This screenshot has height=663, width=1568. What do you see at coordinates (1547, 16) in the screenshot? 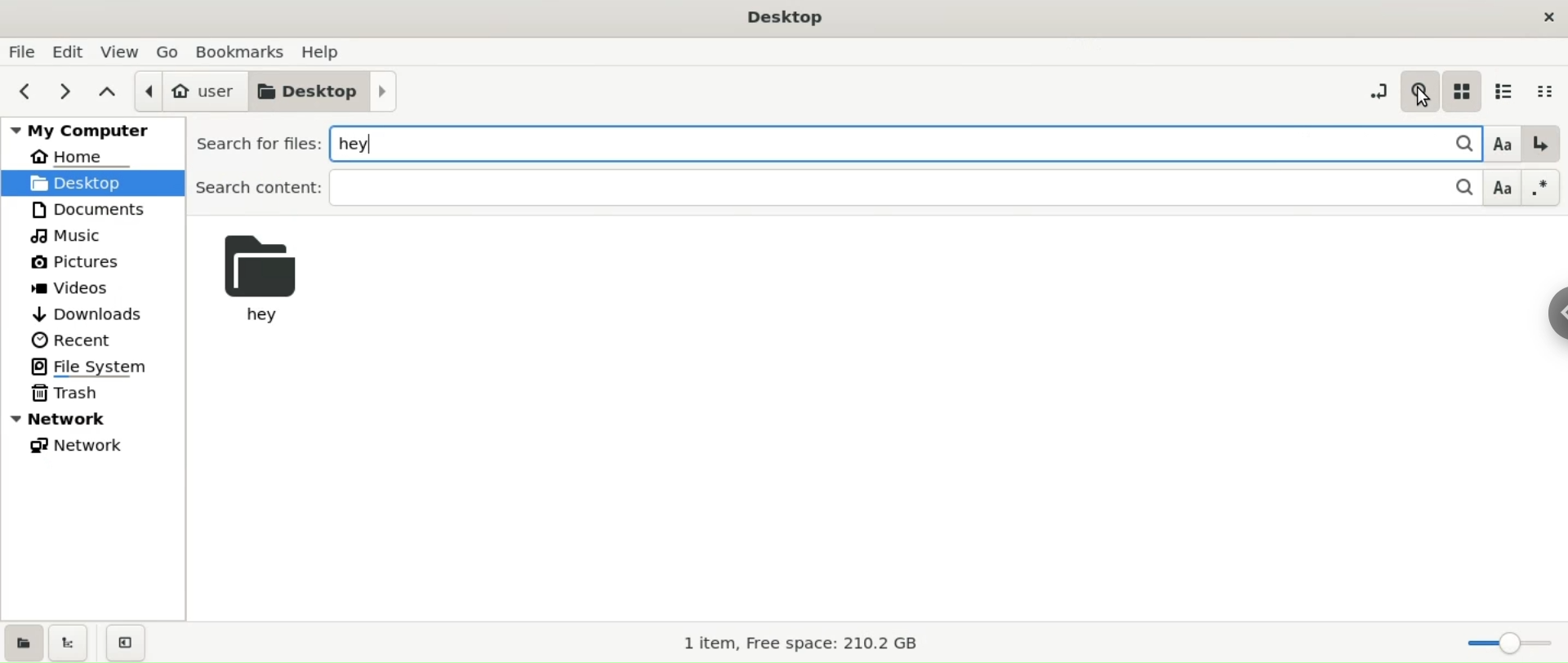
I see `close` at bounding box center [1547, 16].